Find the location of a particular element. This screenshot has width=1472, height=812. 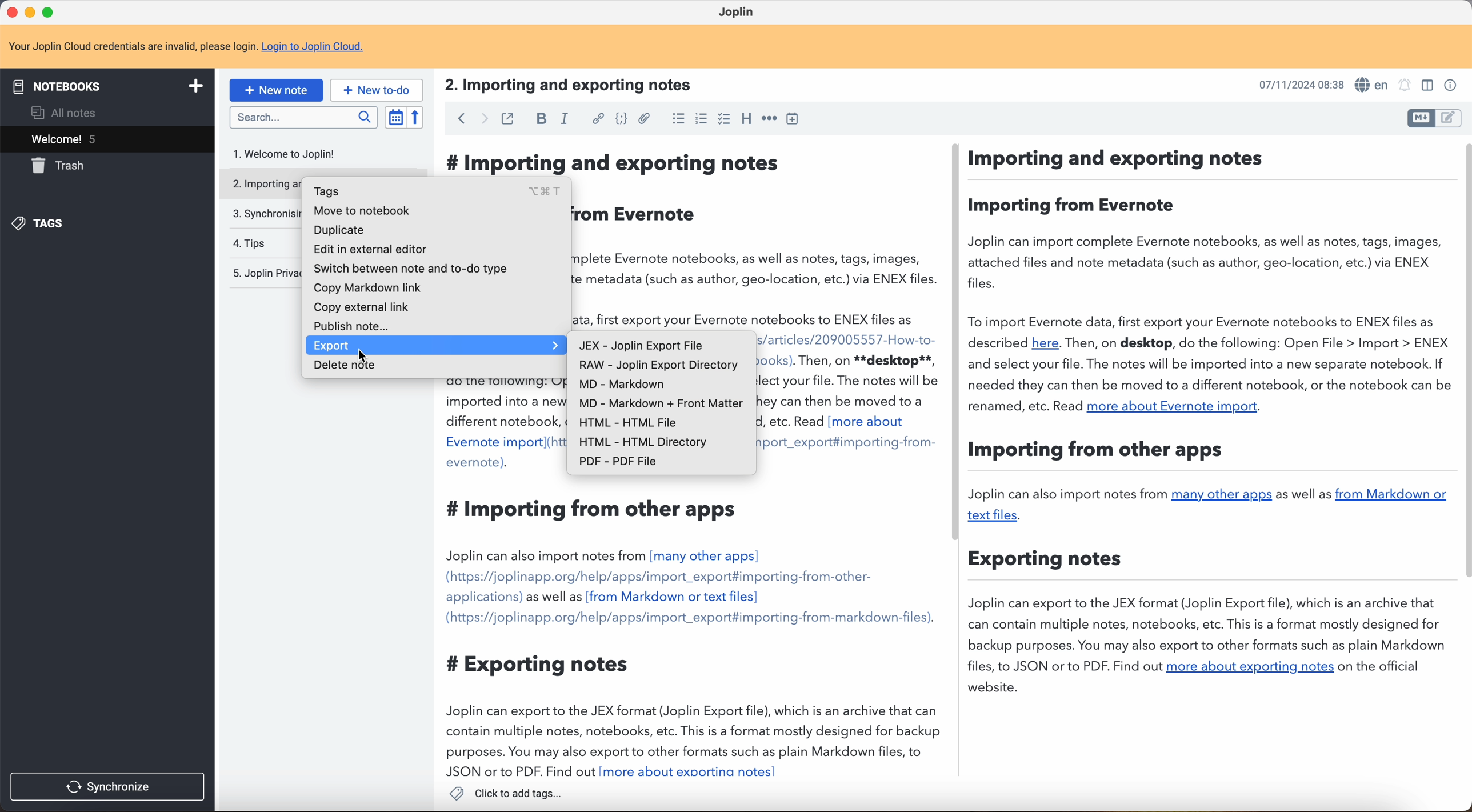

checkbox is located at coordinates (724, 118).